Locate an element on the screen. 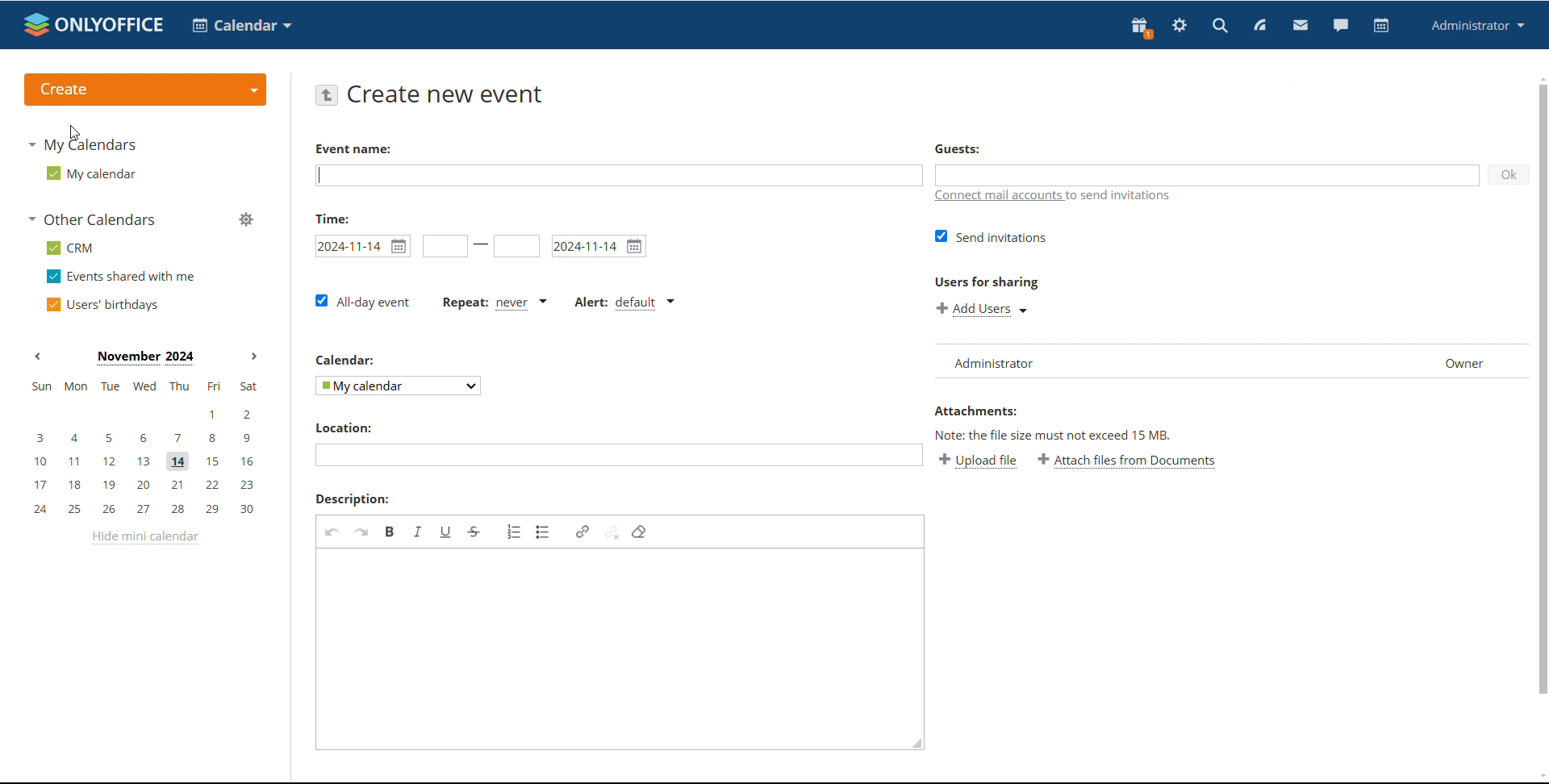 The image size is (1549, 784). Month on display is located at coordinates (145, 358).